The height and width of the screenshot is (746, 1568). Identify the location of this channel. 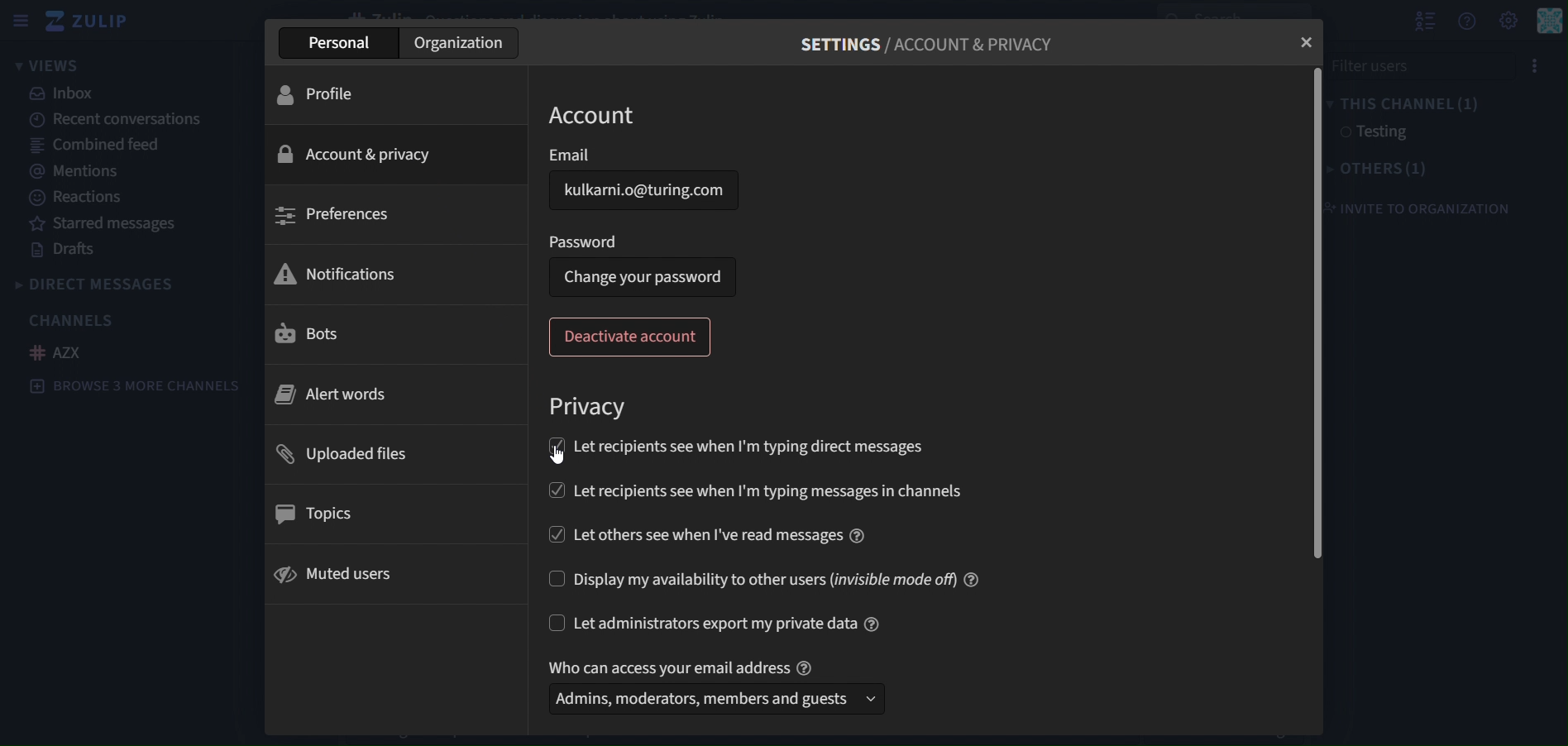
(1413, 106).